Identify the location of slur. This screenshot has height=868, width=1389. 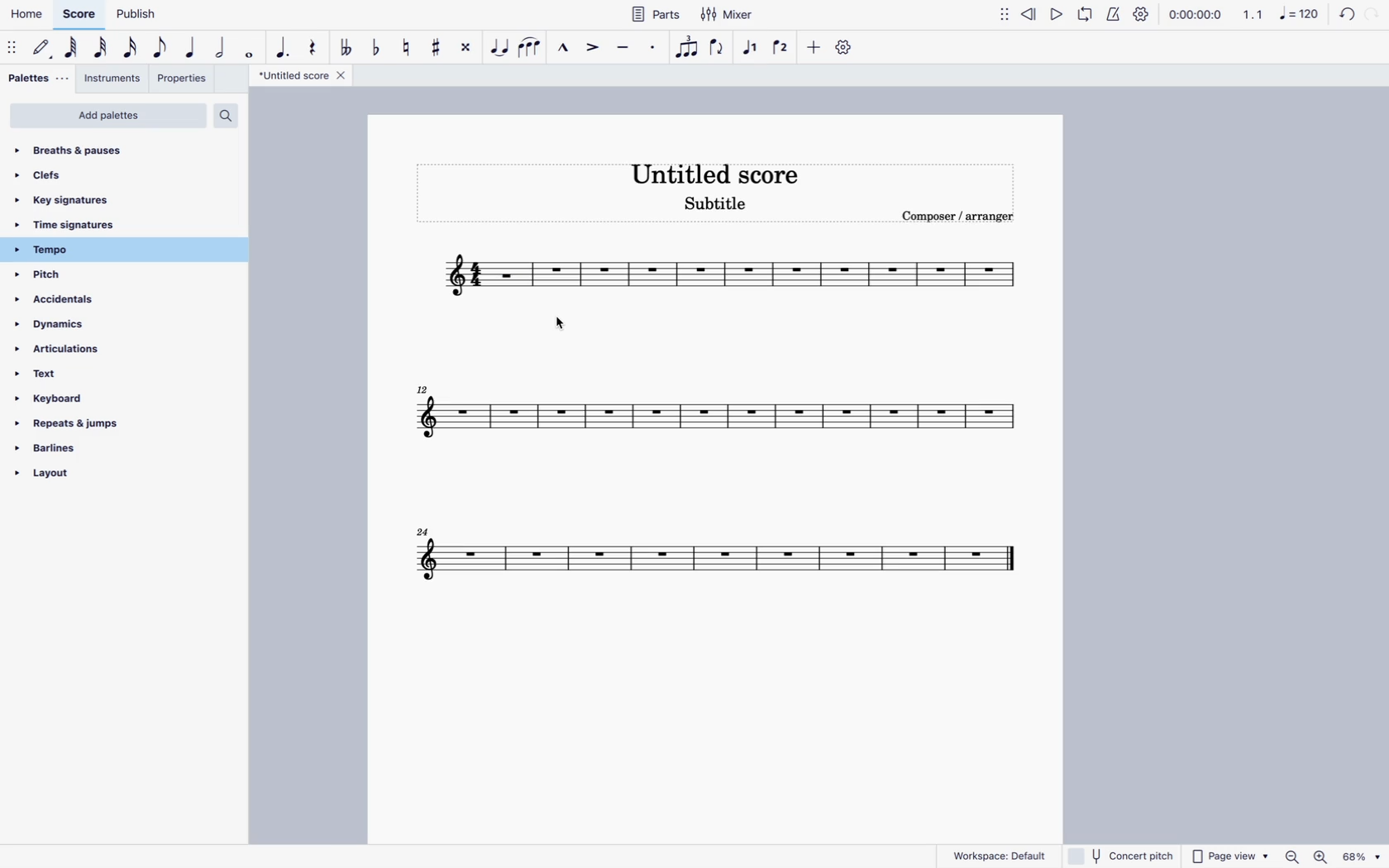
(530, 45).